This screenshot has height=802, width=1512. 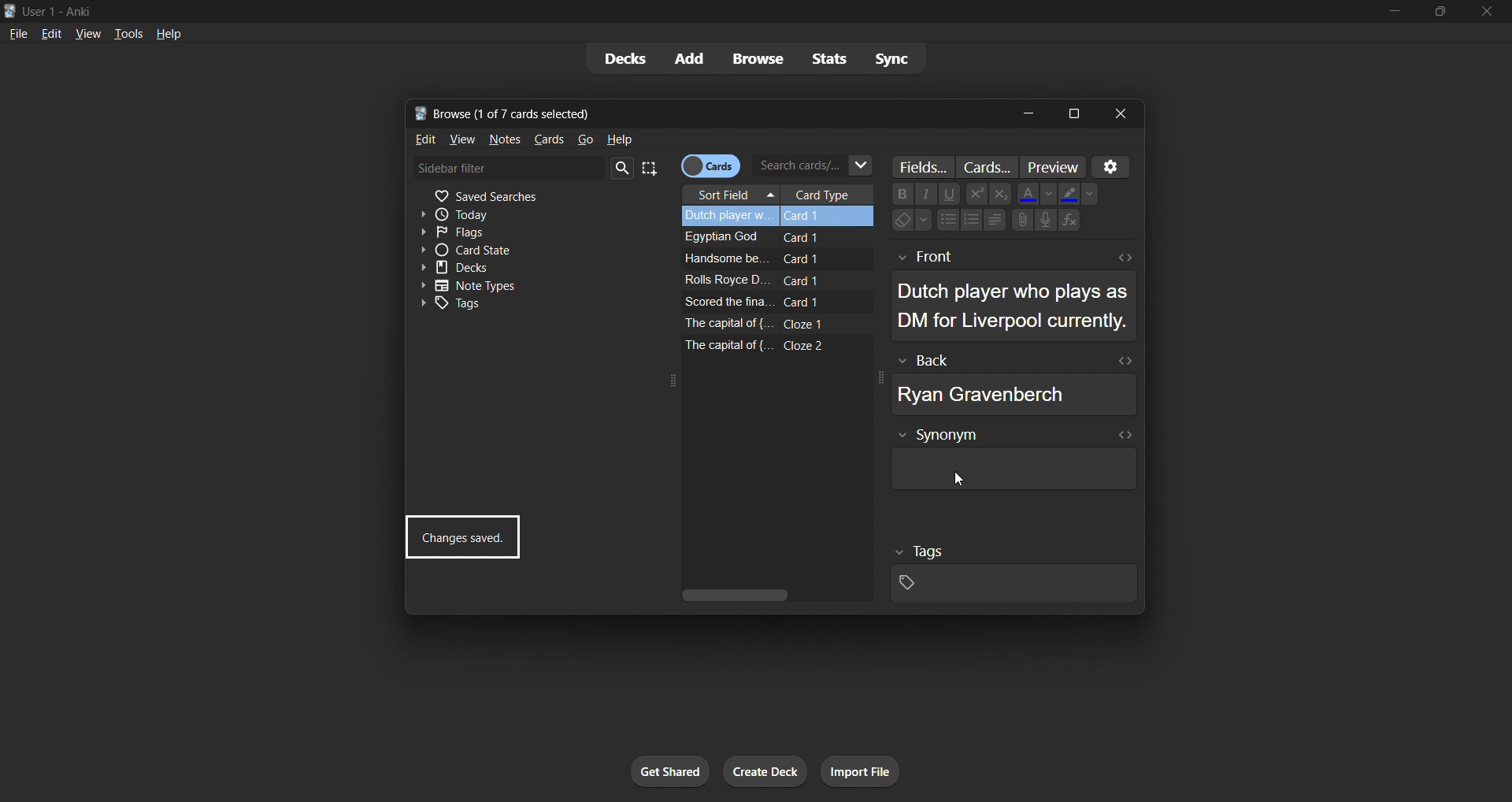 What do you see at coordinates (50, 32) in the screenshot?
I see `edit` at bounding box center [50, 32].